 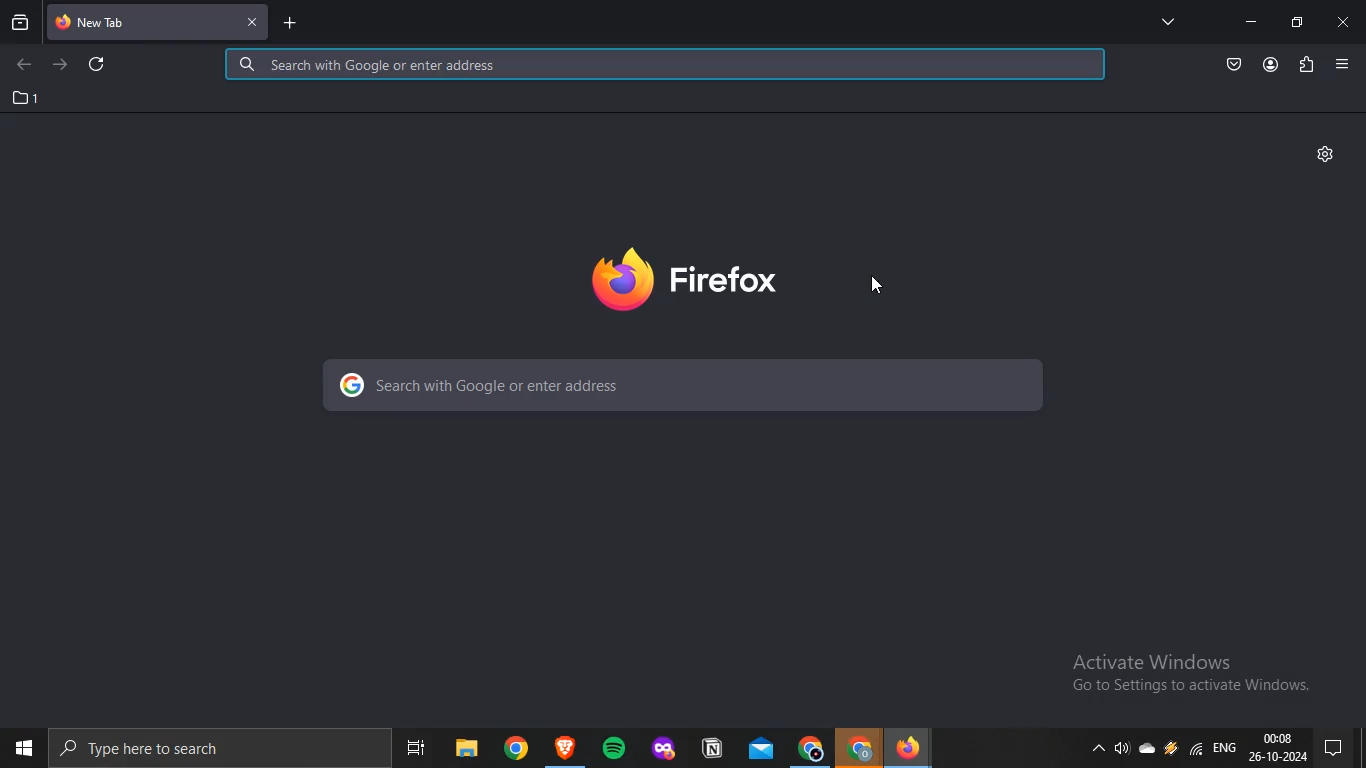 What do you see at coordinates (915, 747) in the screenshot?
I see `firefox` at bounding box center [915, 747].